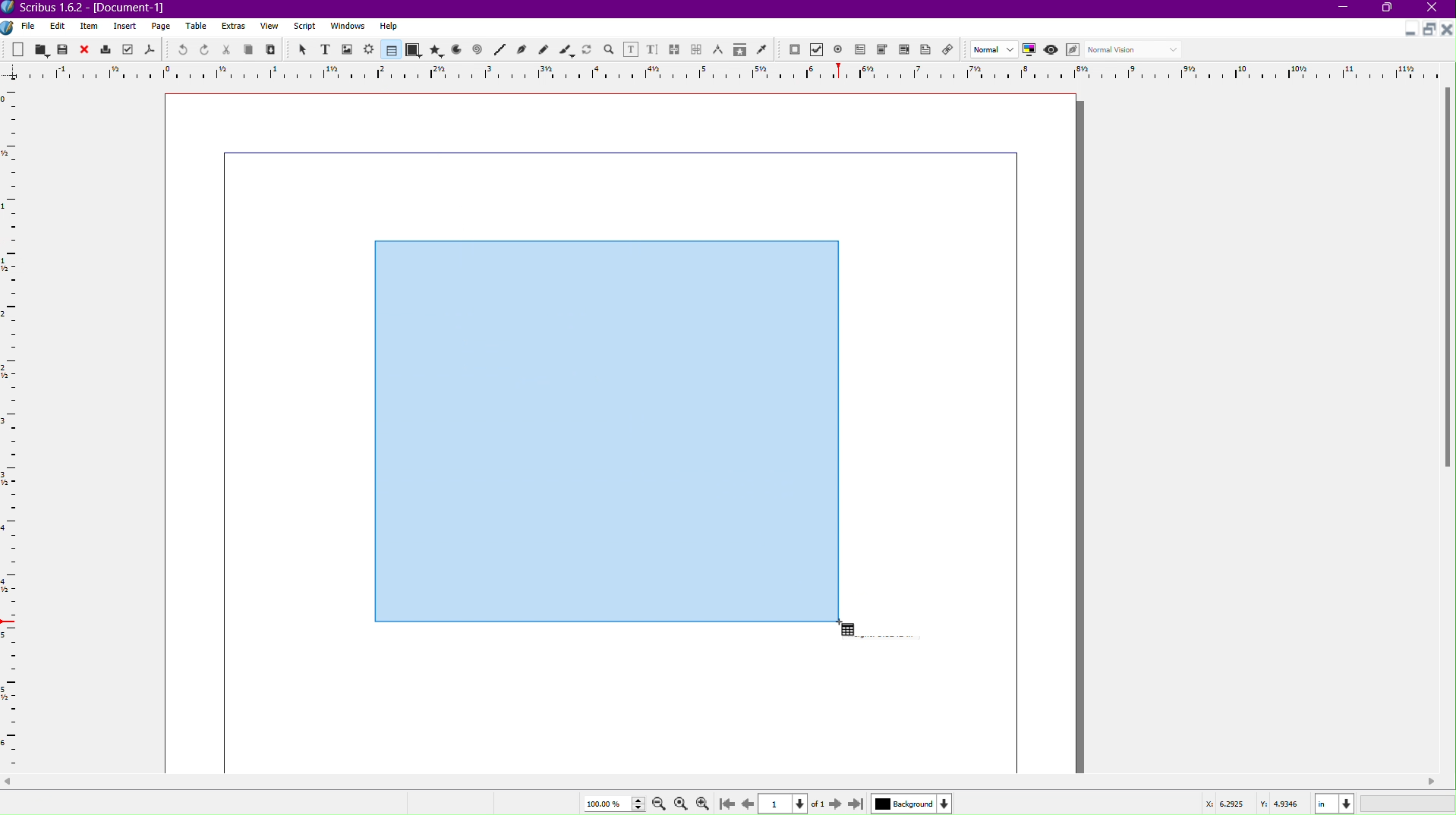 Image resolution: width=1456 pixels, height=815 pixels. What do you see at coordinates (747, 801) in the screenshot?
I see `Go to Previous Page` at bounding box center [747, 801].